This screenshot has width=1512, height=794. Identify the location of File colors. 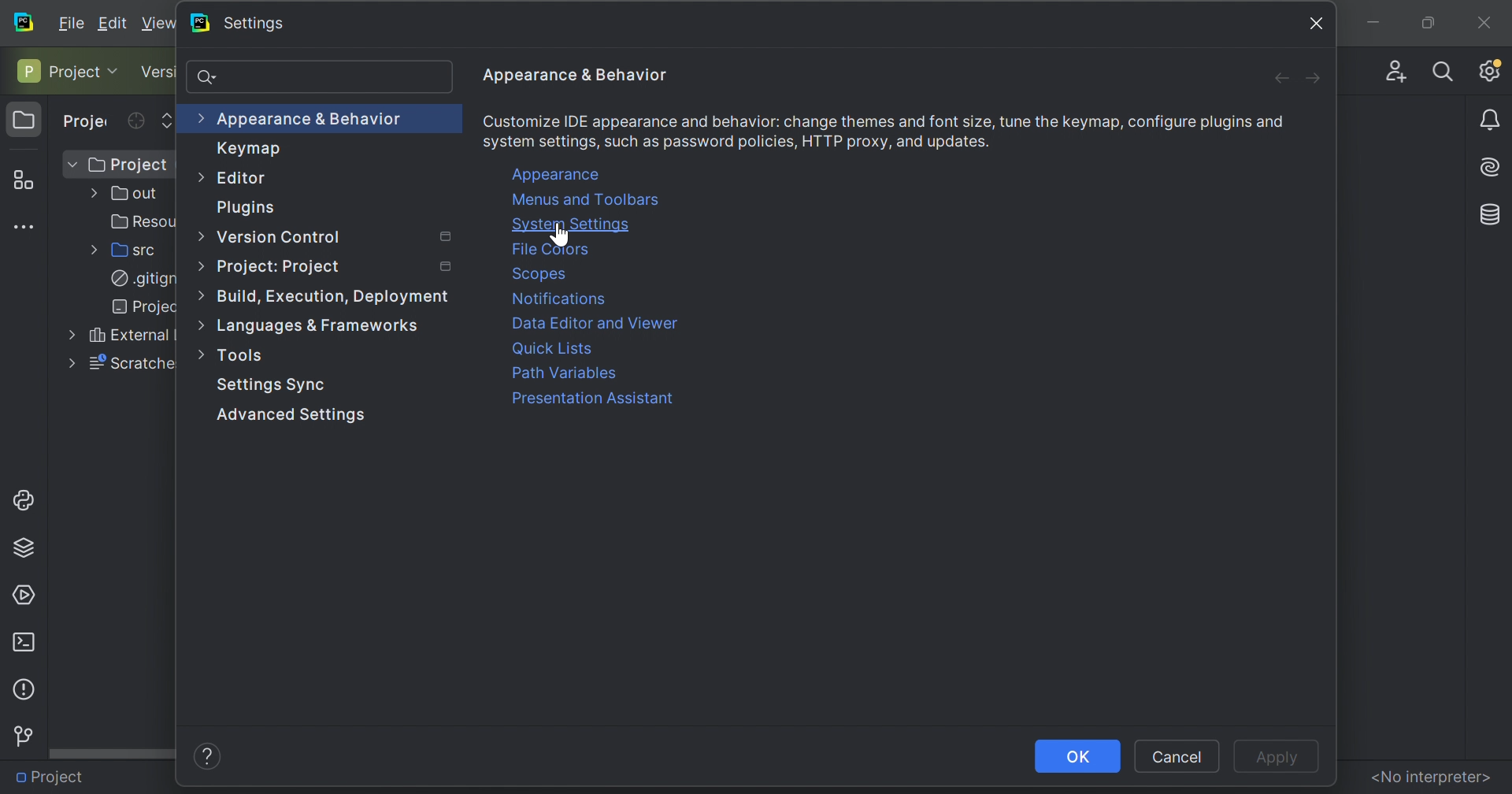
(555, 251).